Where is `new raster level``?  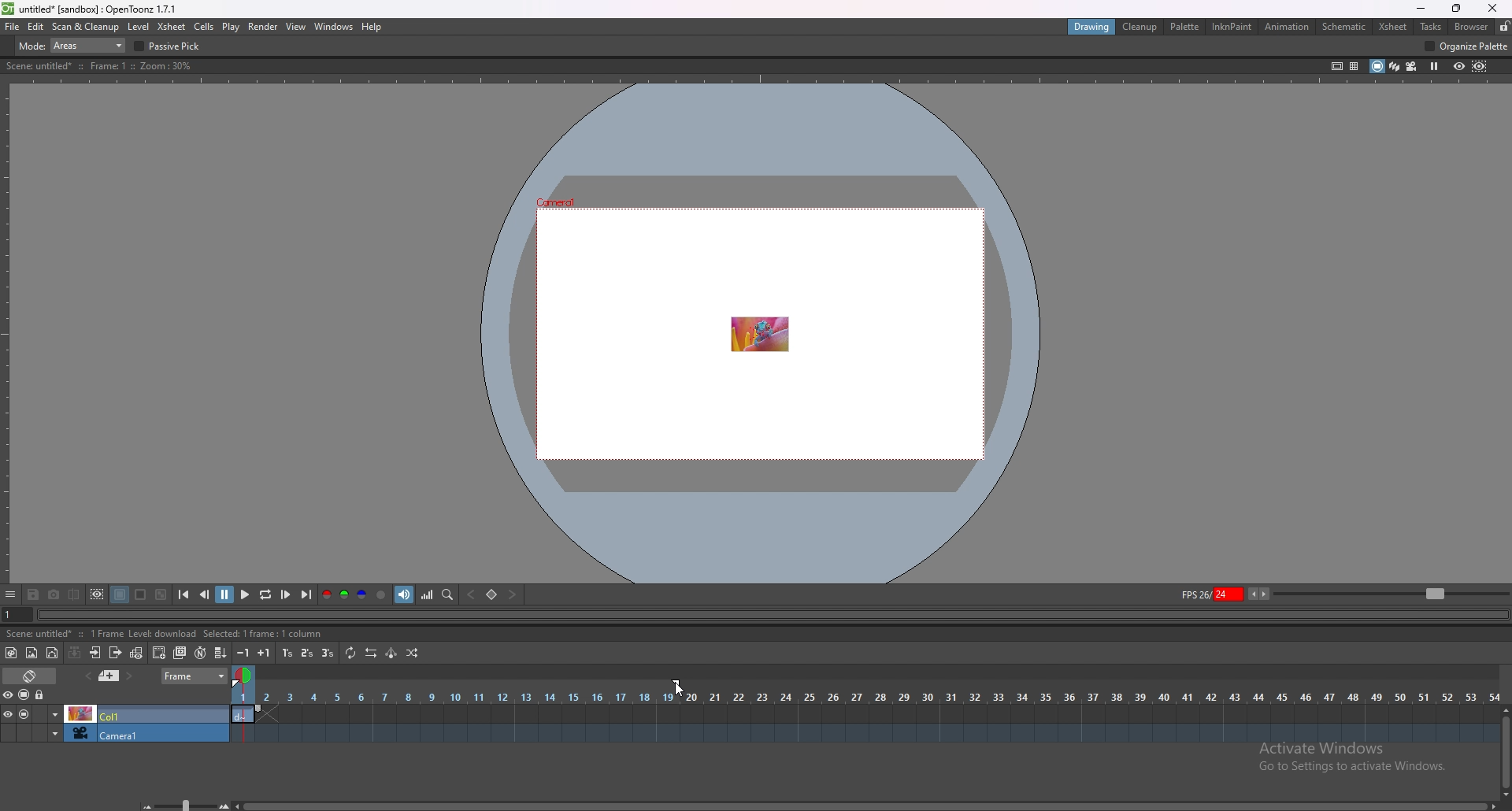 new raster level` is located at coordinates (31, 653).